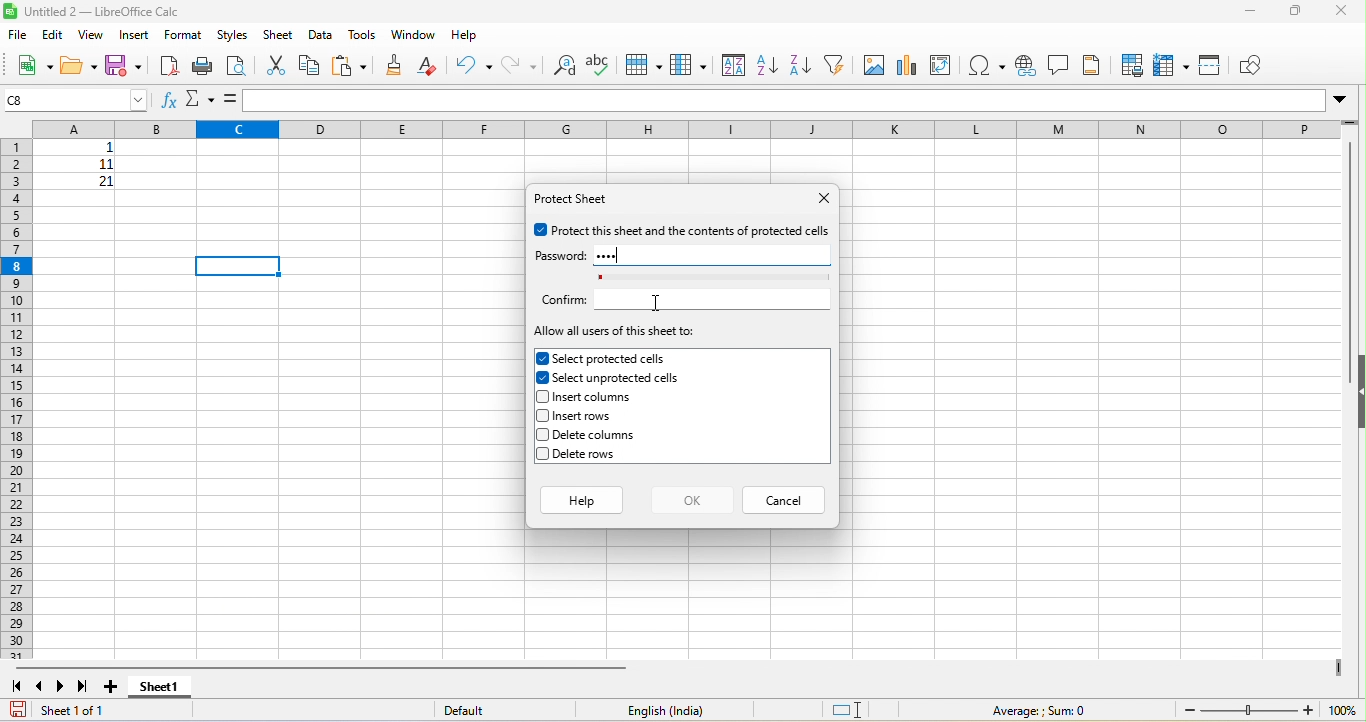 This screenshot has width=1366, height=722. What do you see at coordinates (203, 64) in the screenshot?
I see `print` at bounding box center [203, 64].